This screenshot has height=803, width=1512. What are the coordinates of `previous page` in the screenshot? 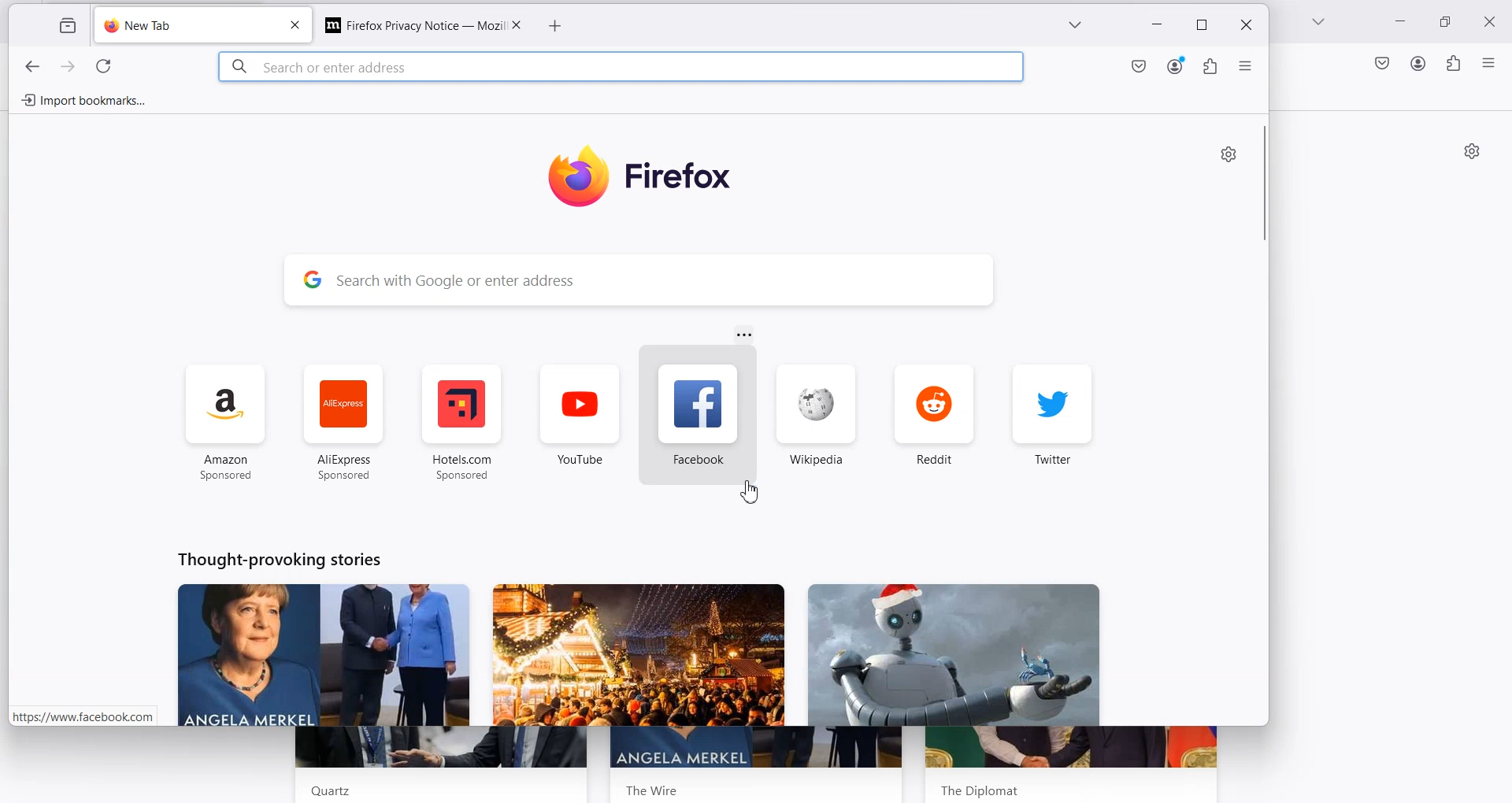 It's located at (31, 68).